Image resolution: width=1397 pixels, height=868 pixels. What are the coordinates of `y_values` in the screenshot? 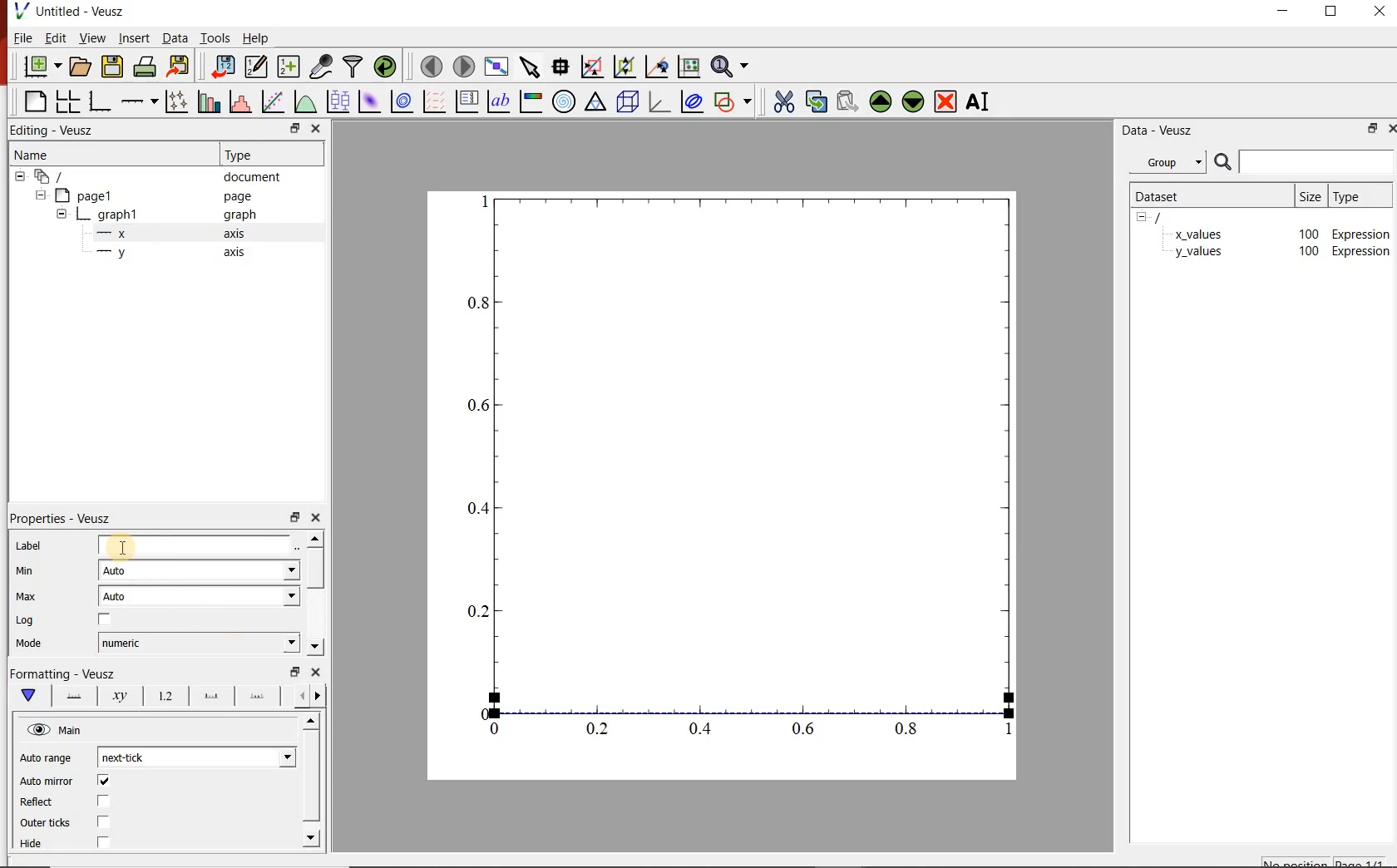 It's located at (1198, 253).